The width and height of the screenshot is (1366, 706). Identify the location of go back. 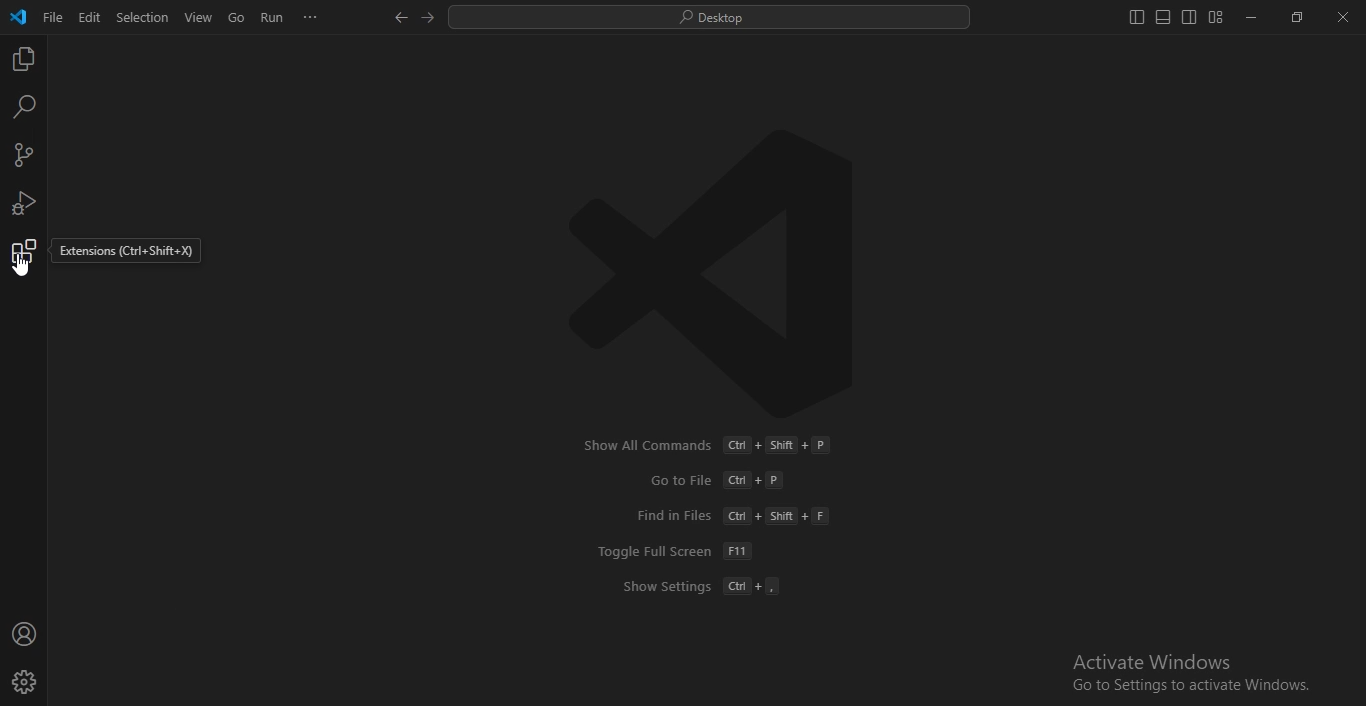
(398, 17).